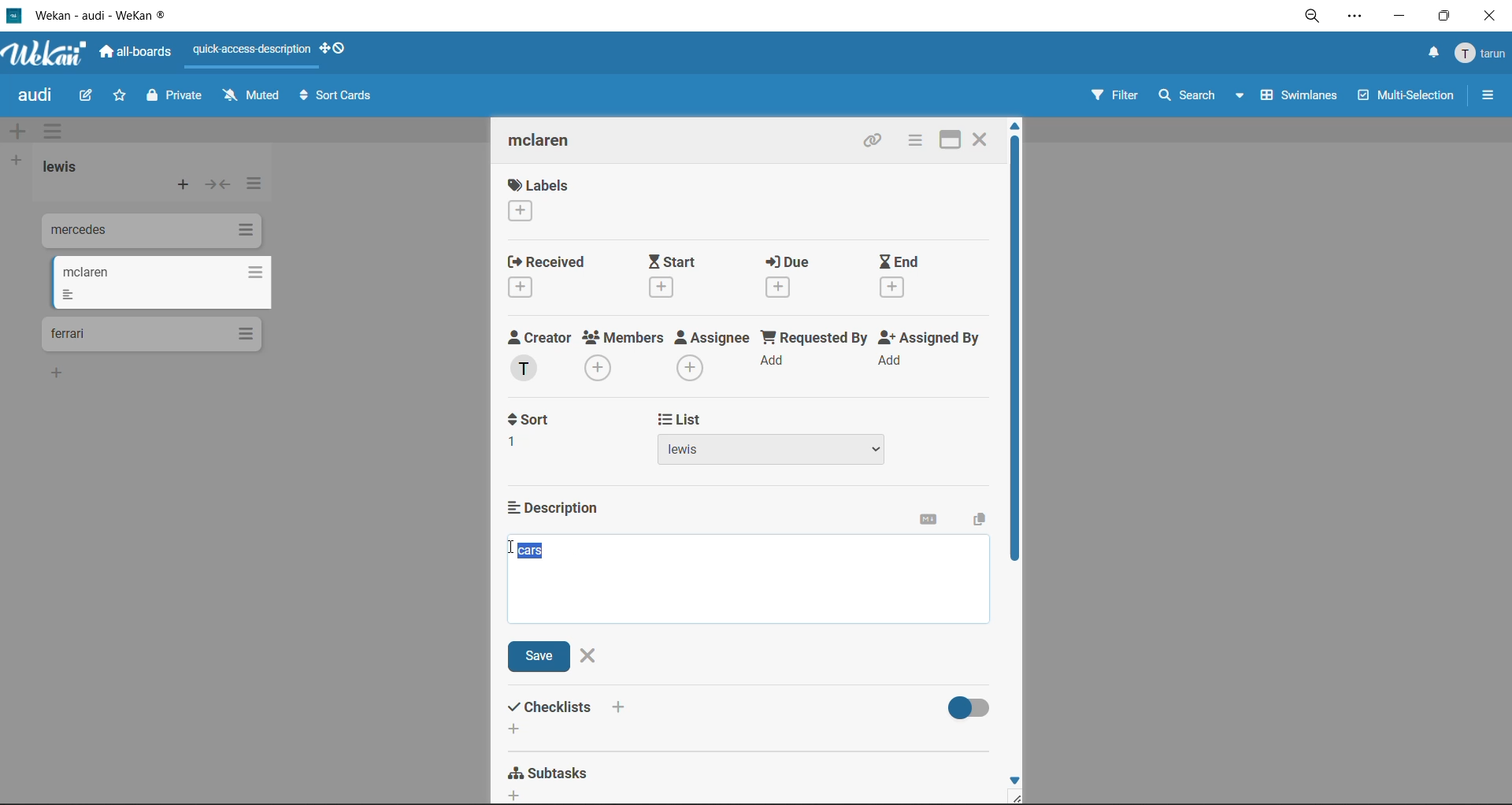 The width and height of the screenshot is (1512, 805). Describe the element at coordinates (981, 138) in the screenshot. I see `close` at that location.